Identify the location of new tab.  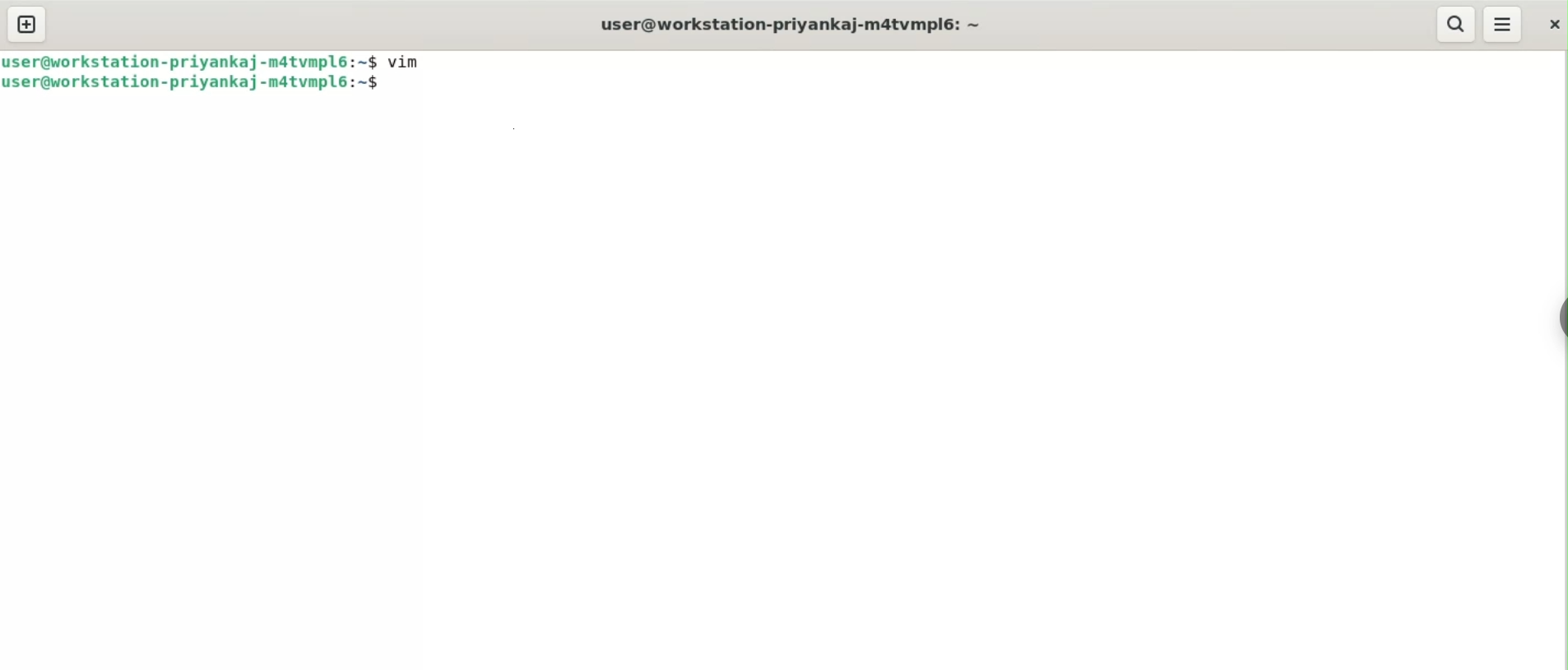
(26, 25).